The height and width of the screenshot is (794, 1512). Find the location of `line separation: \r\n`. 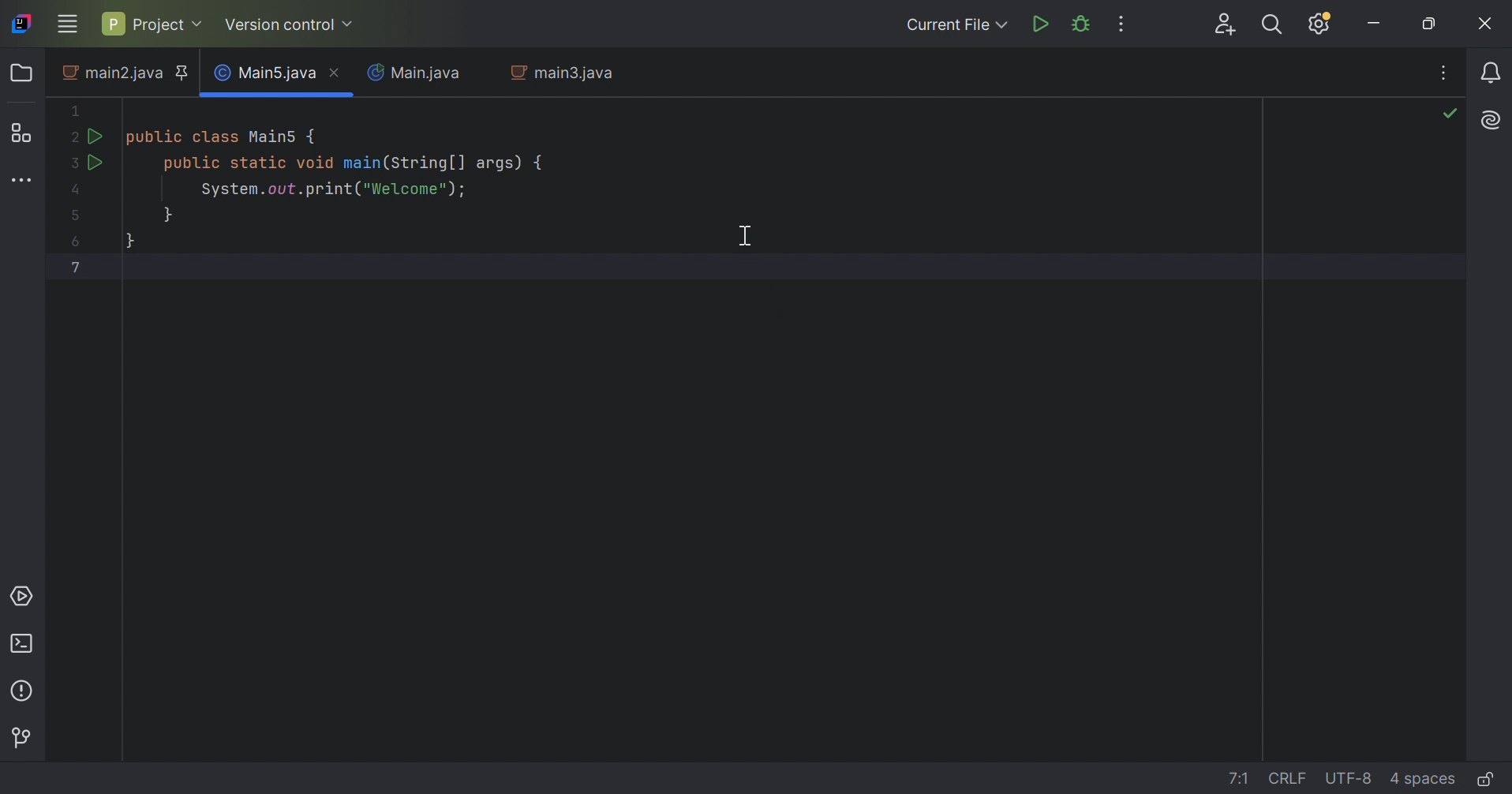

line separation: \r\n is located at coordinates (1288, 777).